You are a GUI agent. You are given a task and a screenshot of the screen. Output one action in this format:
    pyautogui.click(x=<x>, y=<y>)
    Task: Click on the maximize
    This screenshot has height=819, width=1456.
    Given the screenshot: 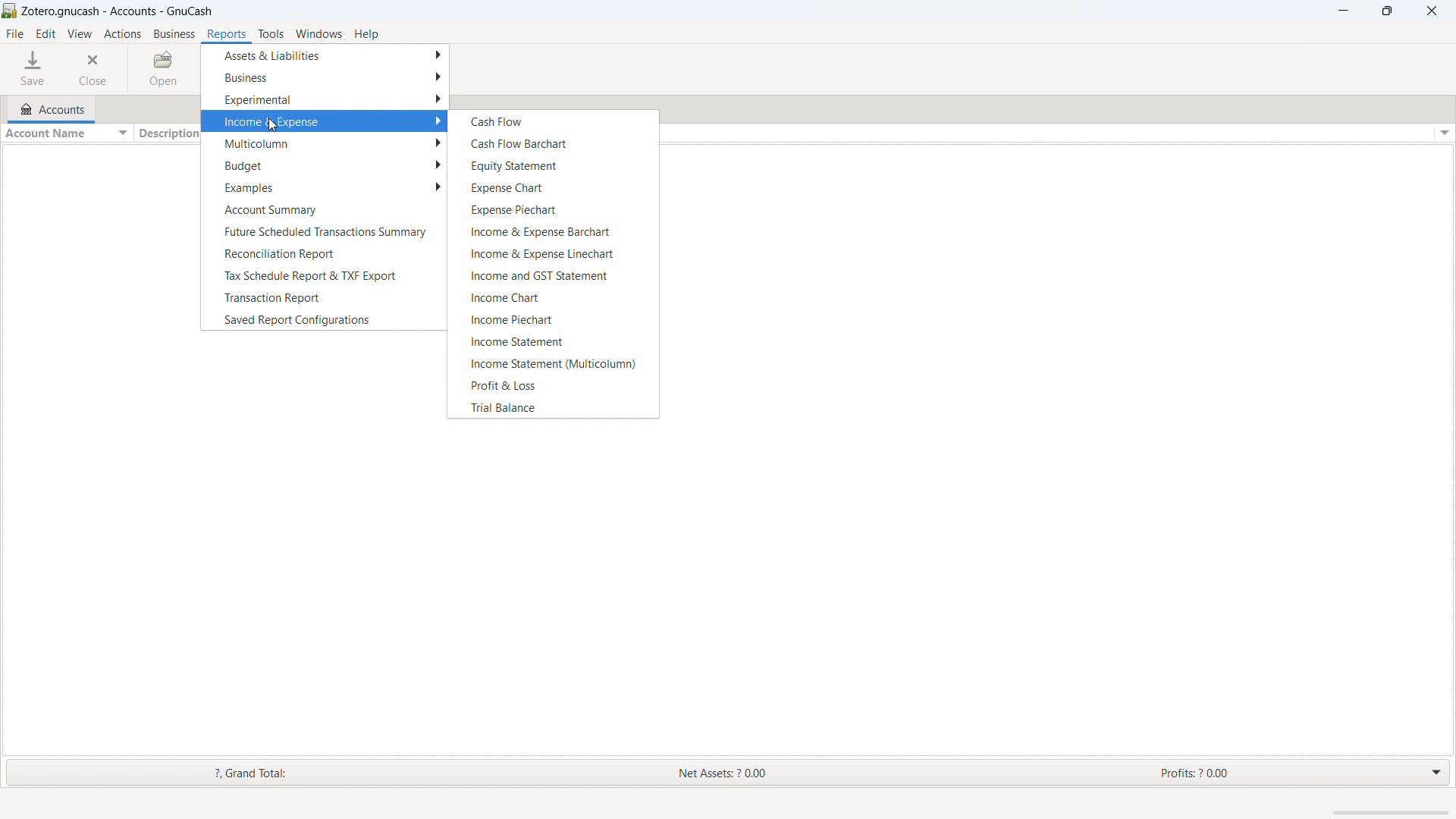 What is the action you would take?
    pyautogui.click(x=1386, y=11)
    